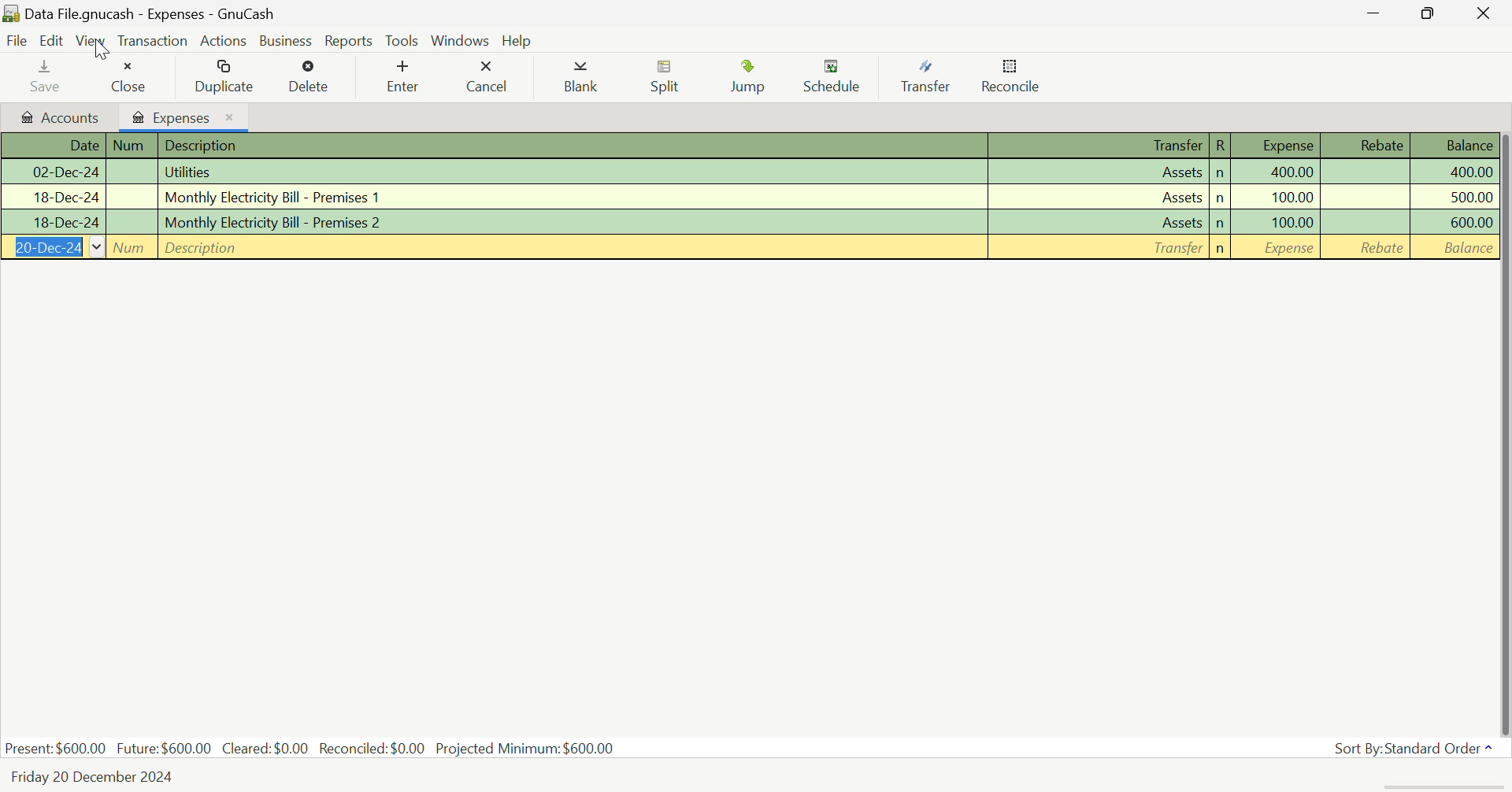 The width and height of the screenshot is (1512, 792). I want to click on Restore Down, so click(1380, 13).